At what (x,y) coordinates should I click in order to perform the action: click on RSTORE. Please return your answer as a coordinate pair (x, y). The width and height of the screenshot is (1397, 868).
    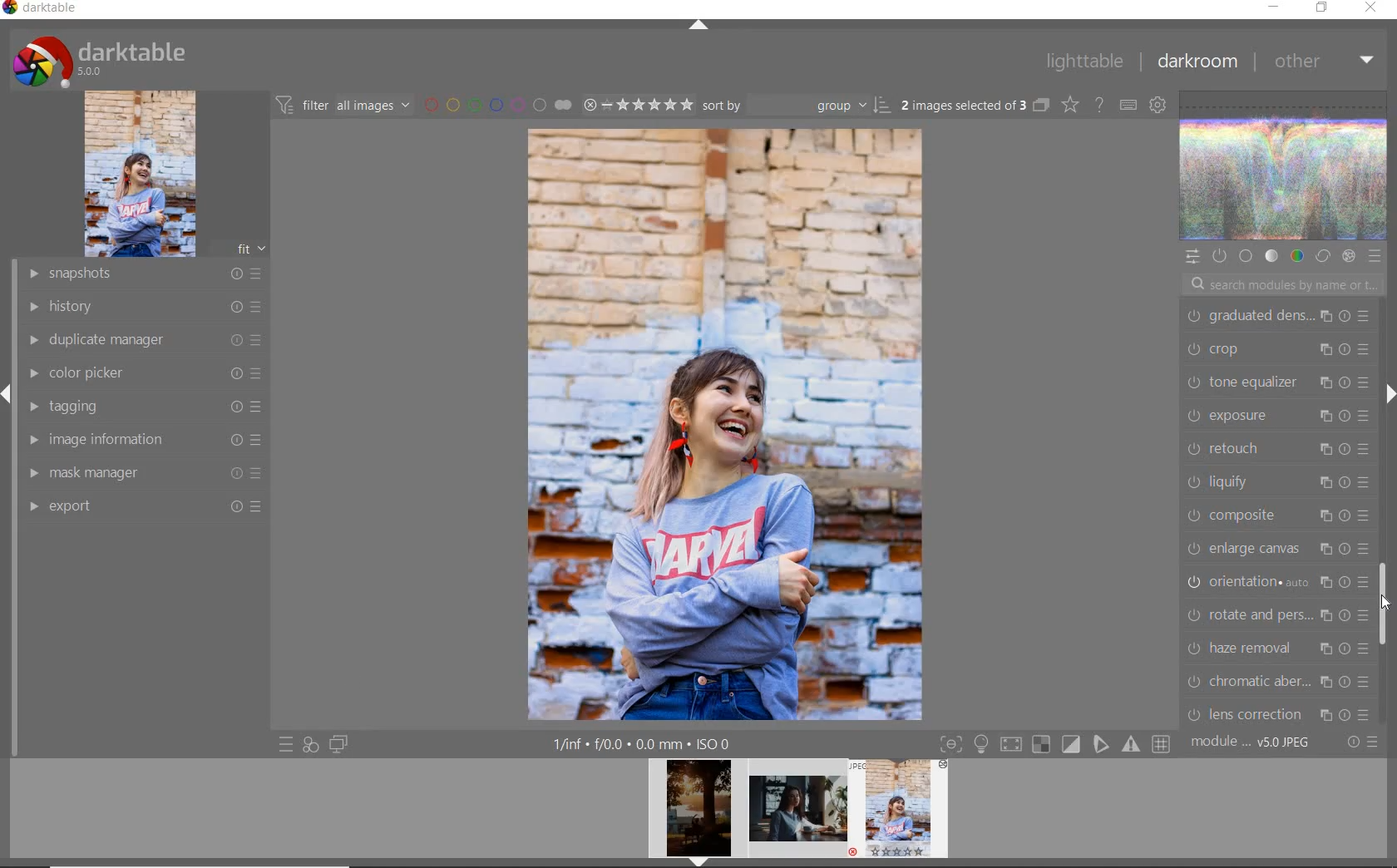
    Looking at the image, I should click on (1319, 8).